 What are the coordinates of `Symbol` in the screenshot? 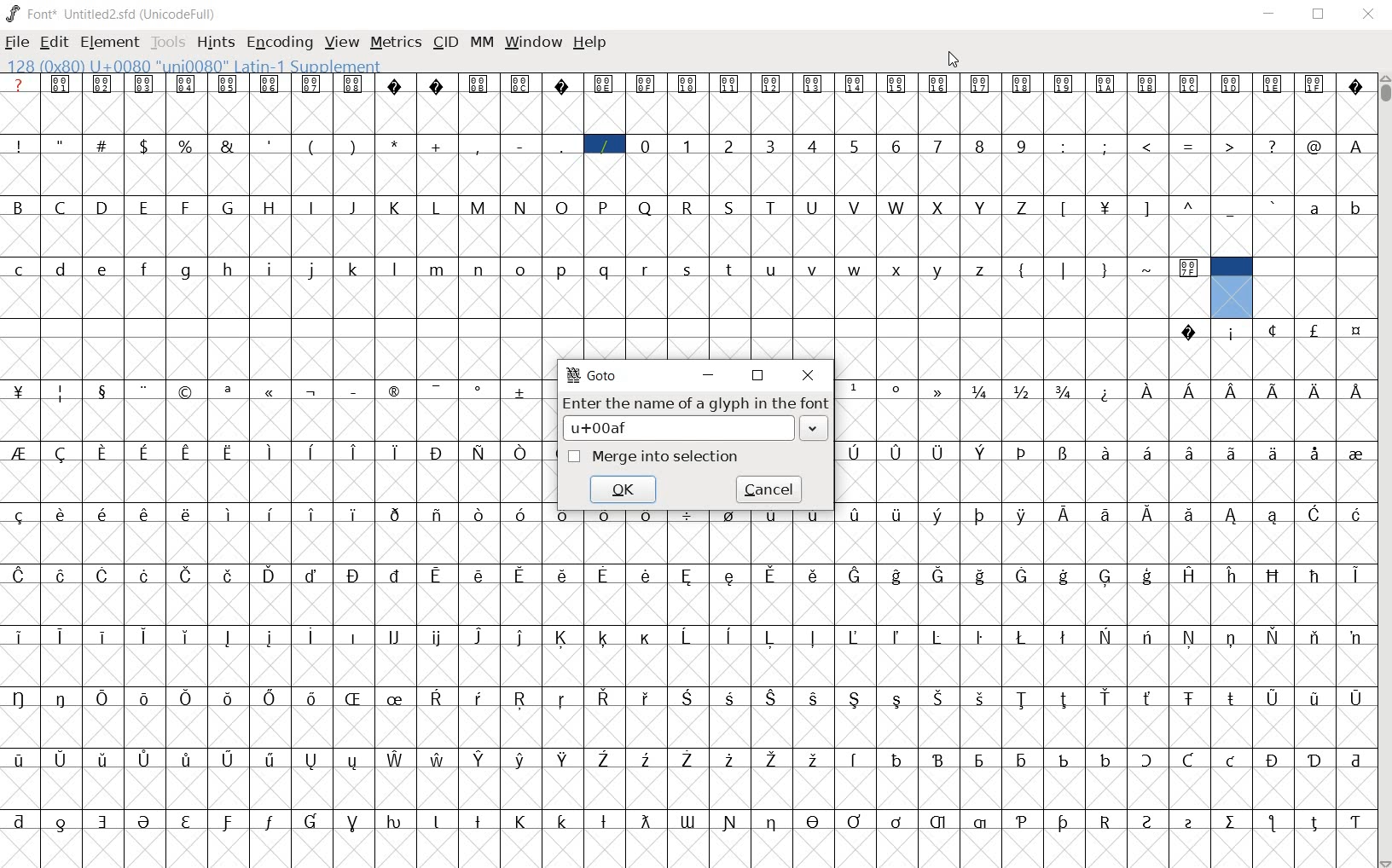 It's located at (229, 84).